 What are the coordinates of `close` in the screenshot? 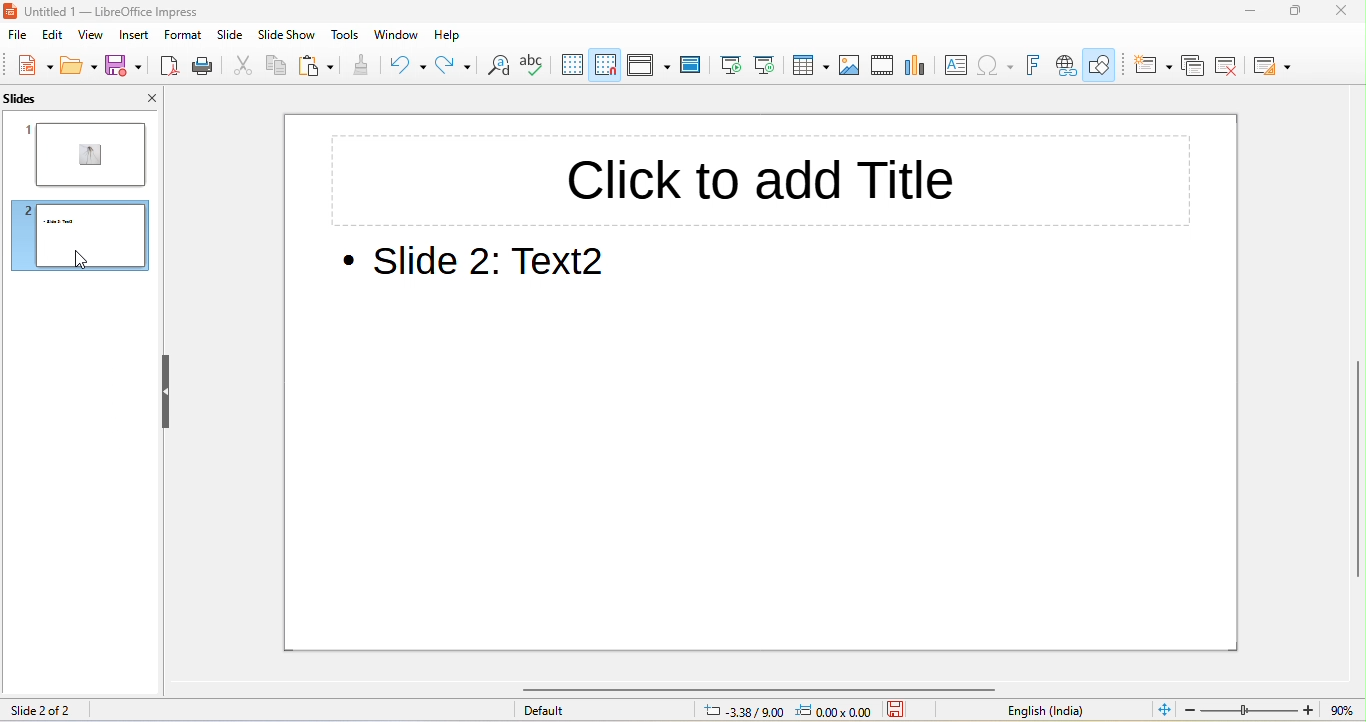 It's located at (1340, 12).